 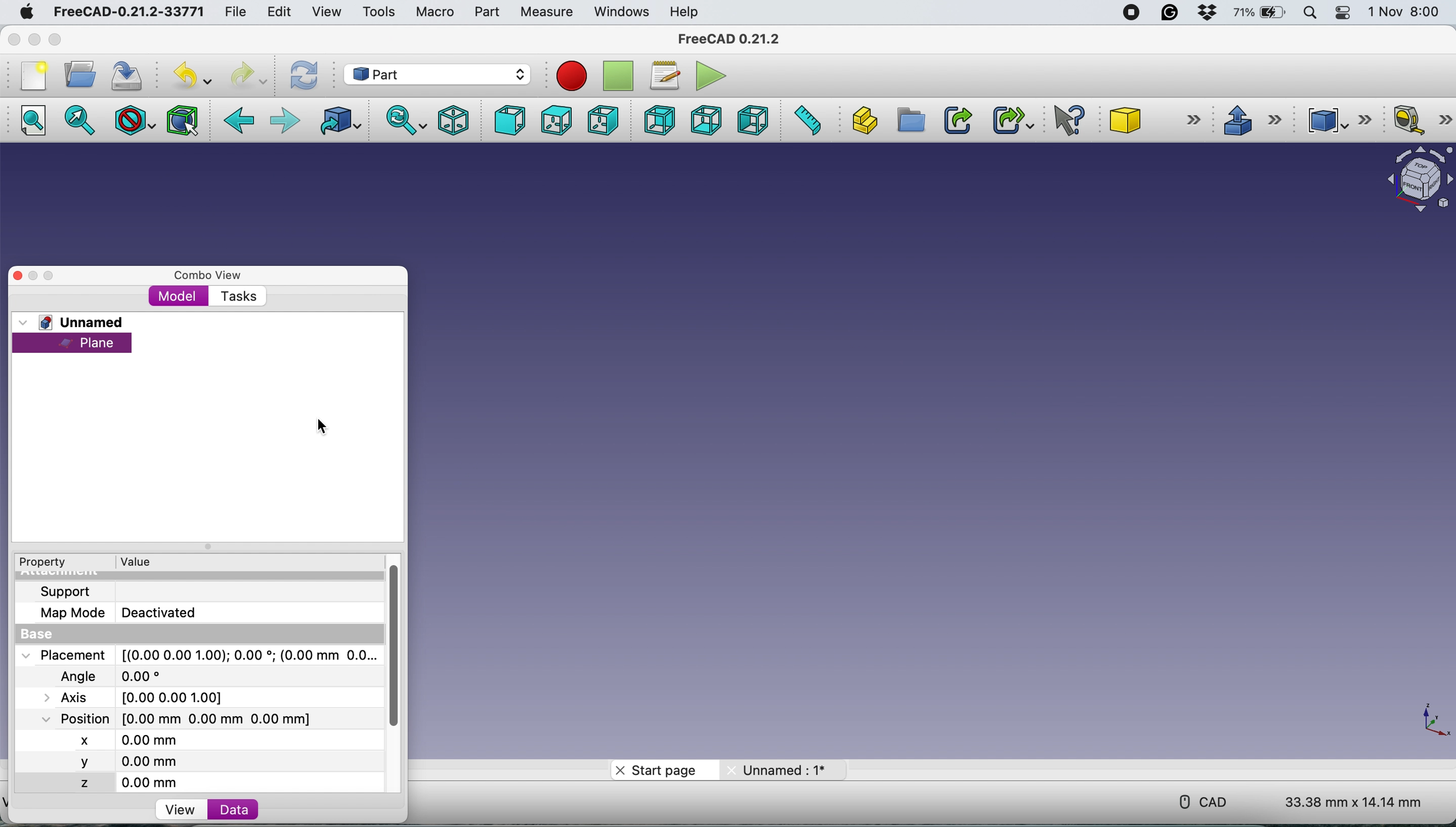 What do you see at coordinates (201, 653) in the screenshot?
I see `Placement  [(0.00 0.00 1.00);0.00; (0.00 mm 0.0...` at bounding box center [201, 653].